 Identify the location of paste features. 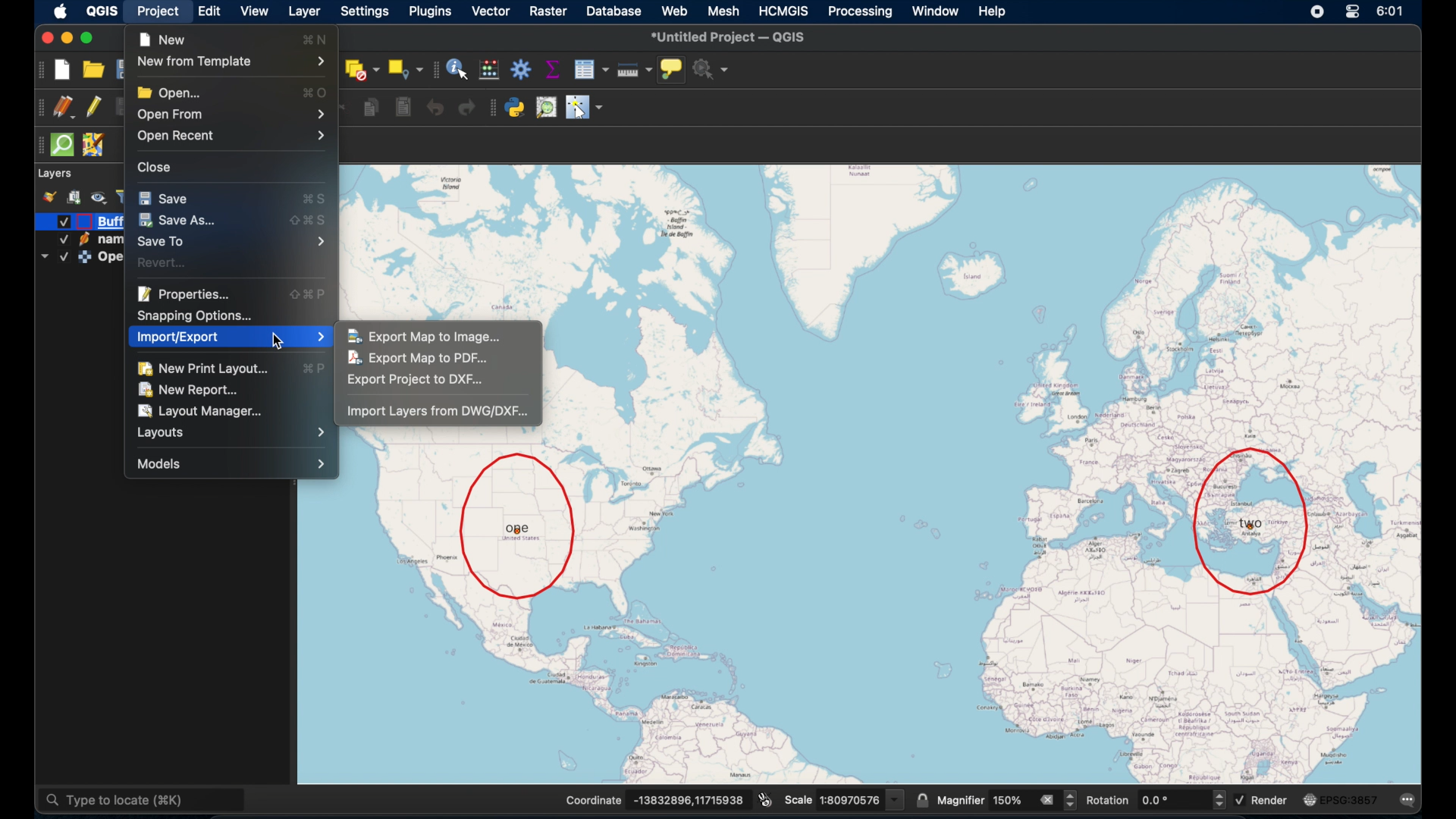
(403, 108).